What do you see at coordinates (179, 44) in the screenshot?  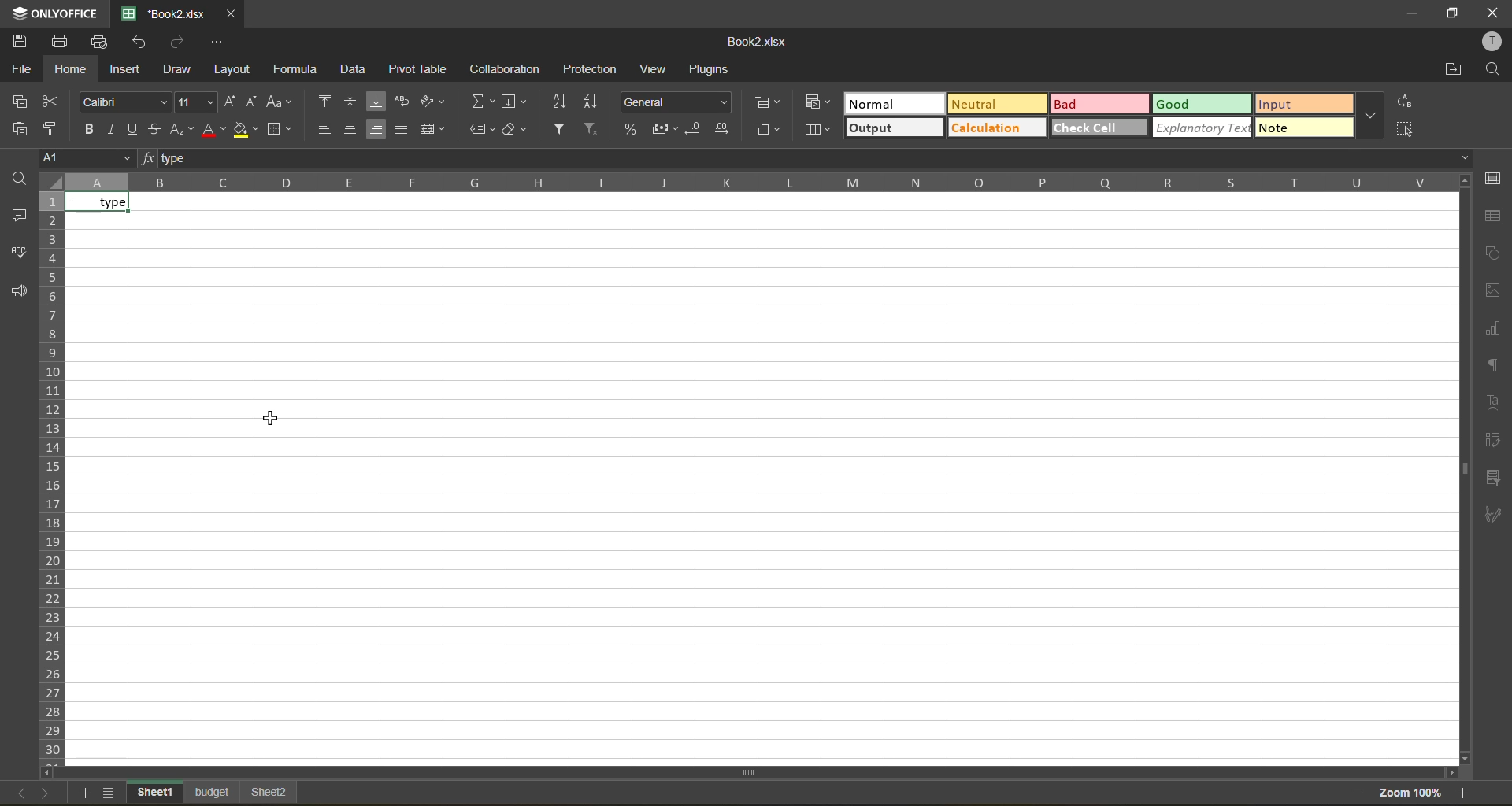 I see `redo` at bounding box center [179, 44].